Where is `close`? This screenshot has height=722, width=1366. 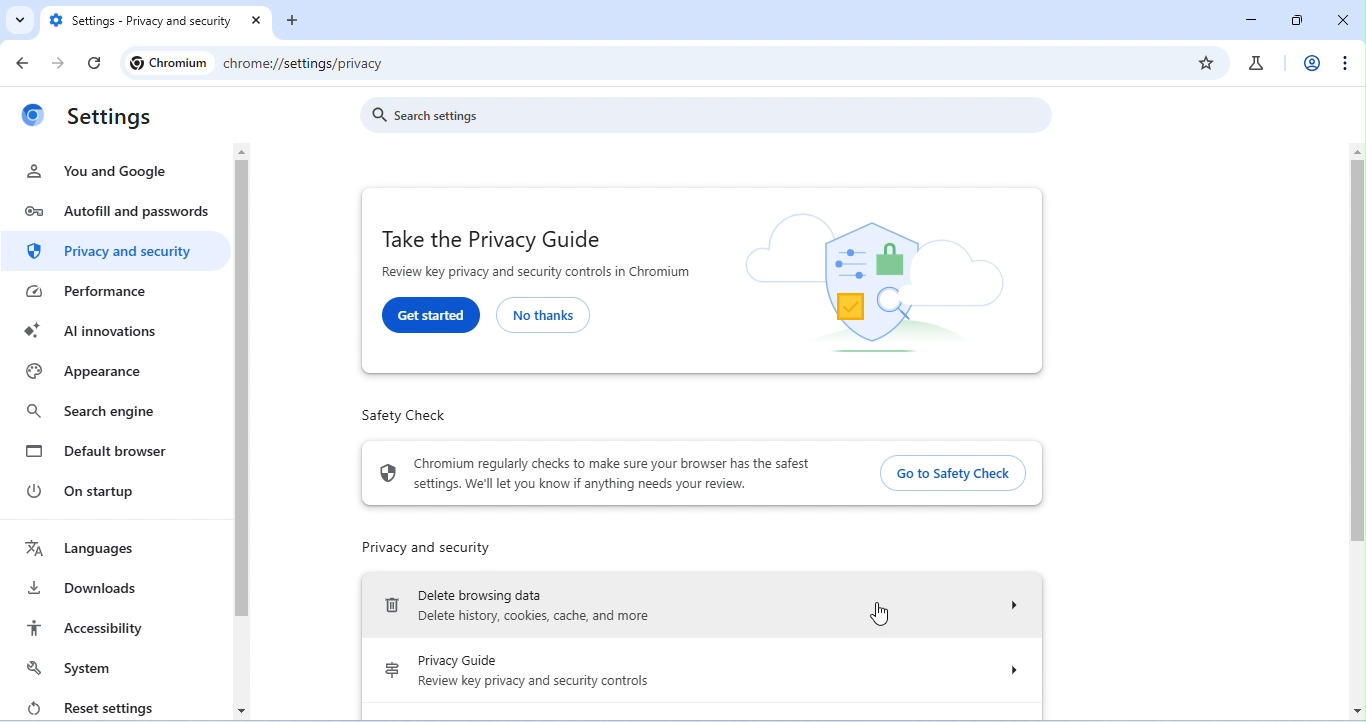
close is located at coordinates (259, 22).